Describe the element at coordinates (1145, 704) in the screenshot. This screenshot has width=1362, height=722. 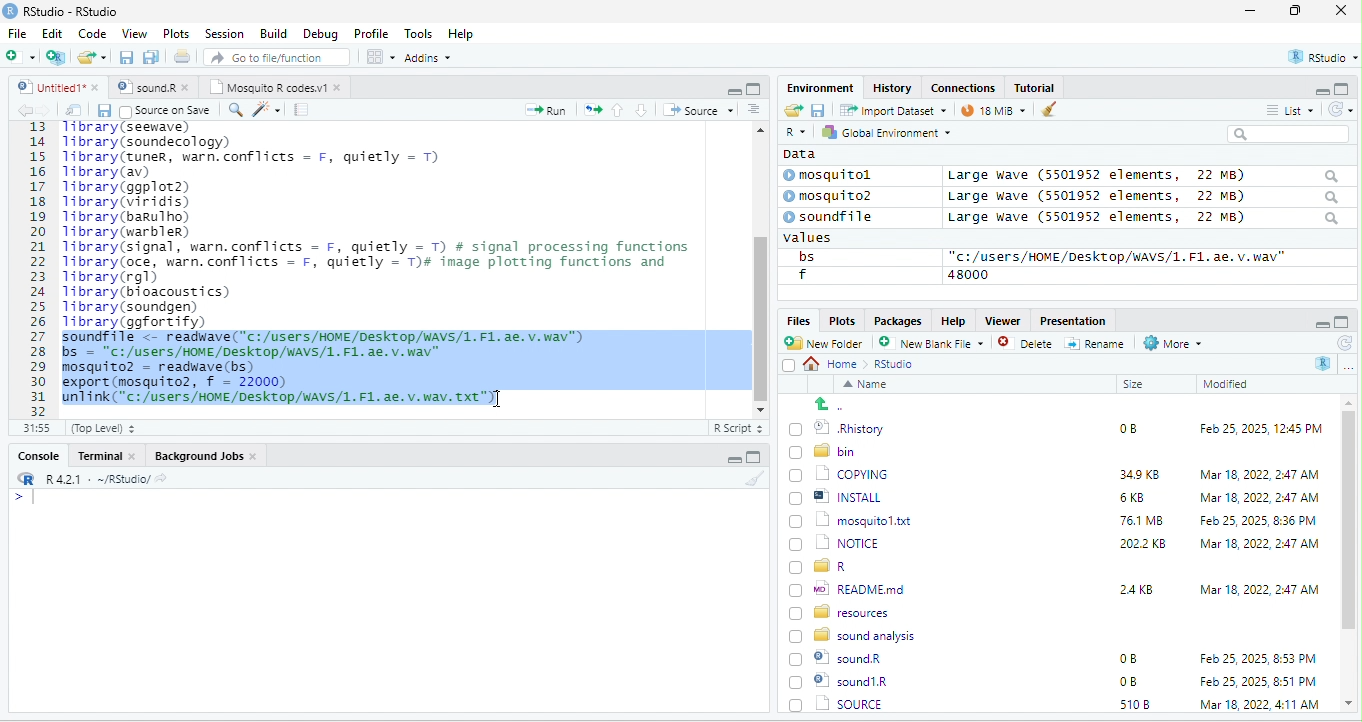
I see `1302 KB` at that location.